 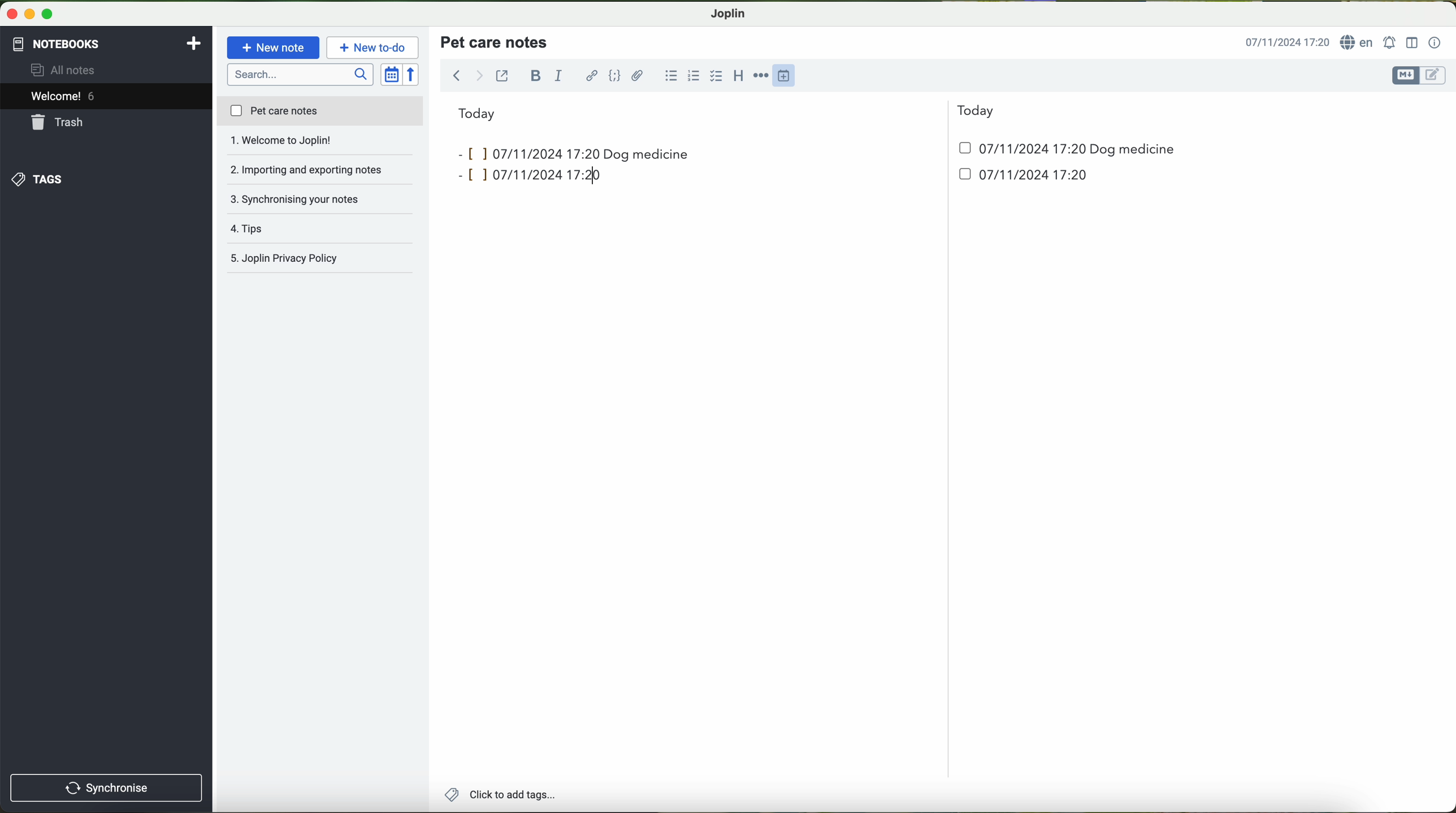 What do you see at coordinates (466, 75) in the screenshot?
I see `navigation arrows` at bounding box center [466, 75].